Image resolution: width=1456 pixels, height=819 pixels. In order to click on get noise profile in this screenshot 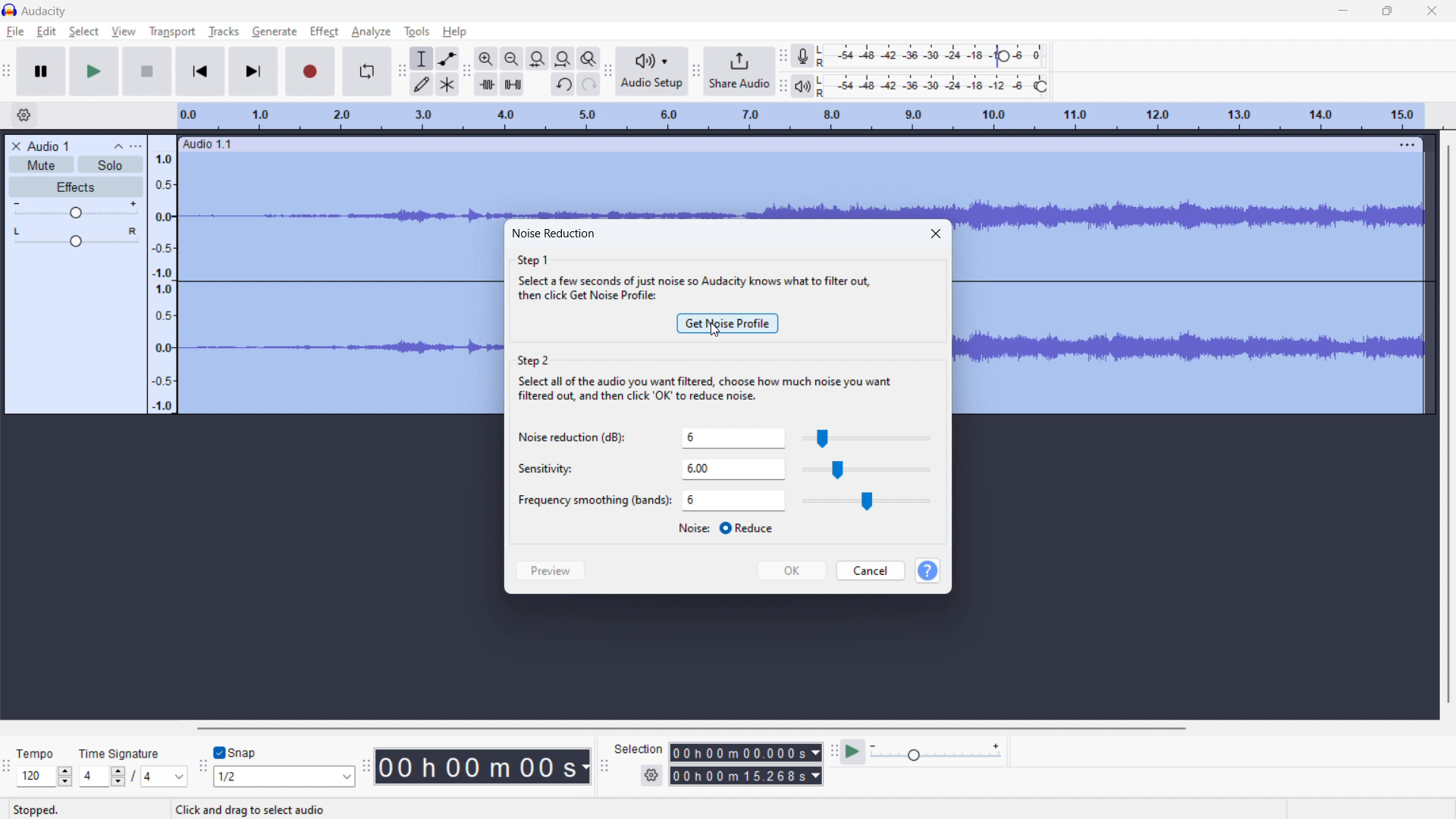, I will do `click(727, 323)`.